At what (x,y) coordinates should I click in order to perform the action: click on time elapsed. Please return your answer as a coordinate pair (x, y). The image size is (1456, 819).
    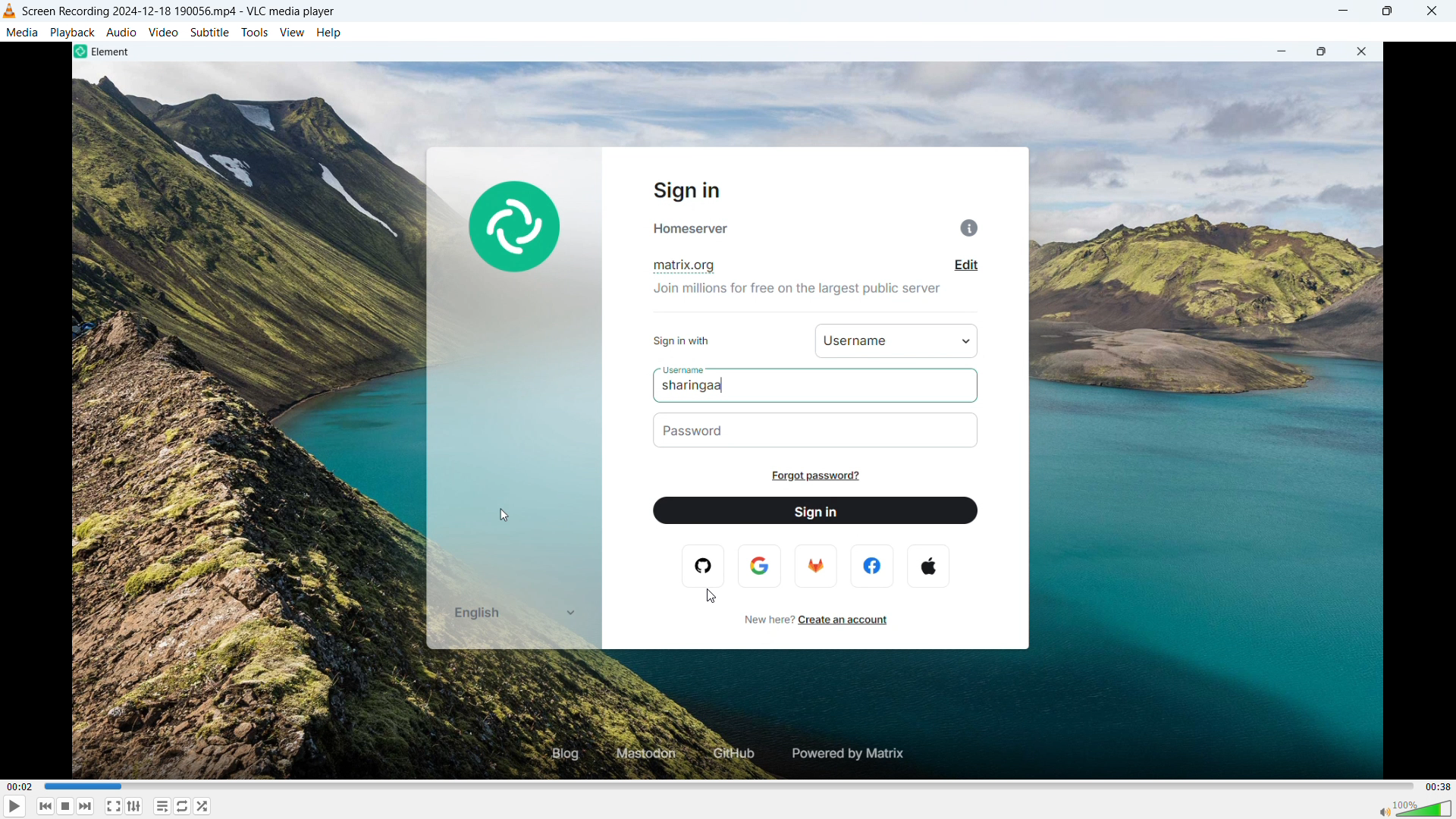
    Looking at the image, I should click on (20, 787).